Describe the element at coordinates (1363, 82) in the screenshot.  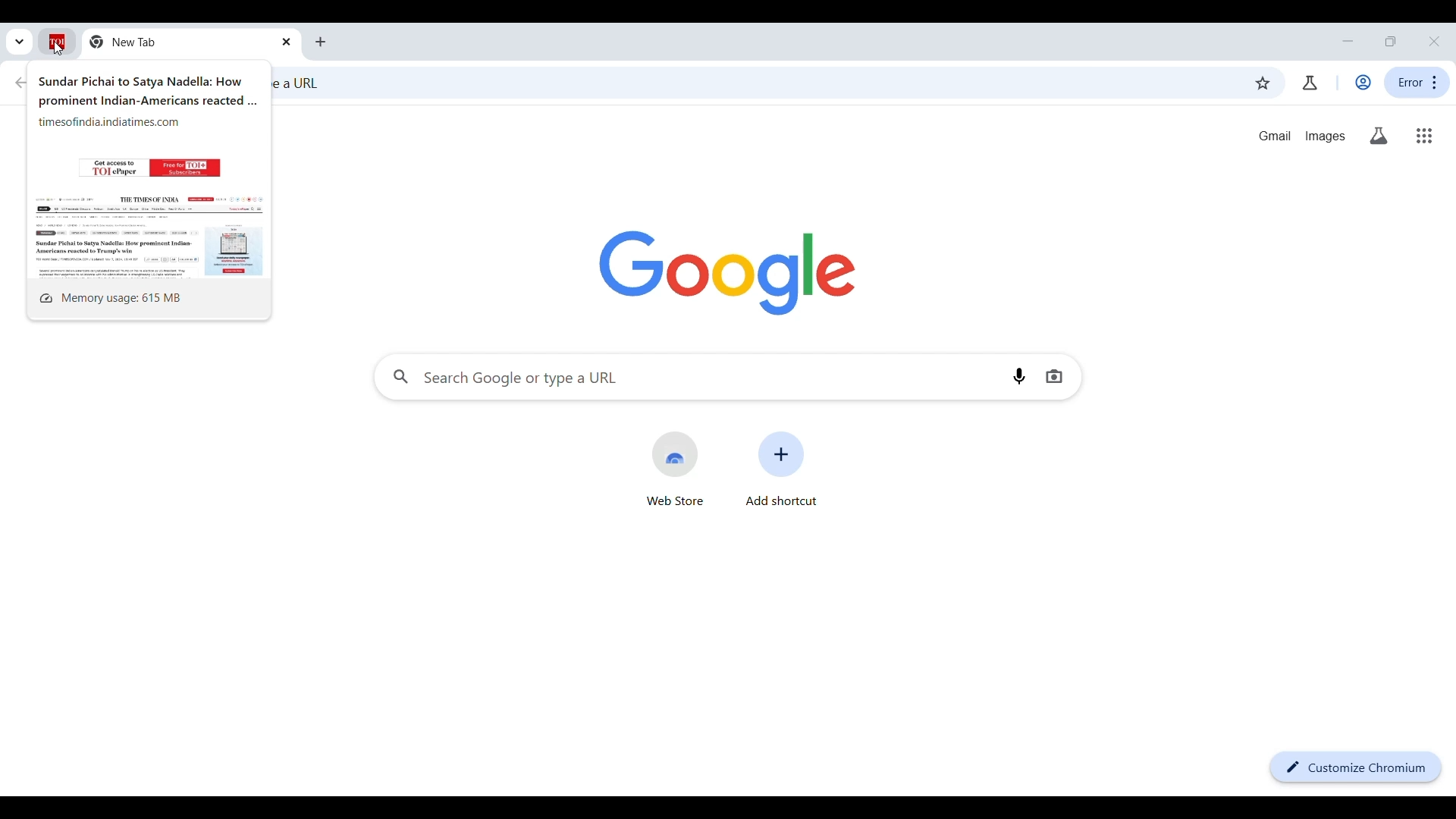
I see `Work` at that location.